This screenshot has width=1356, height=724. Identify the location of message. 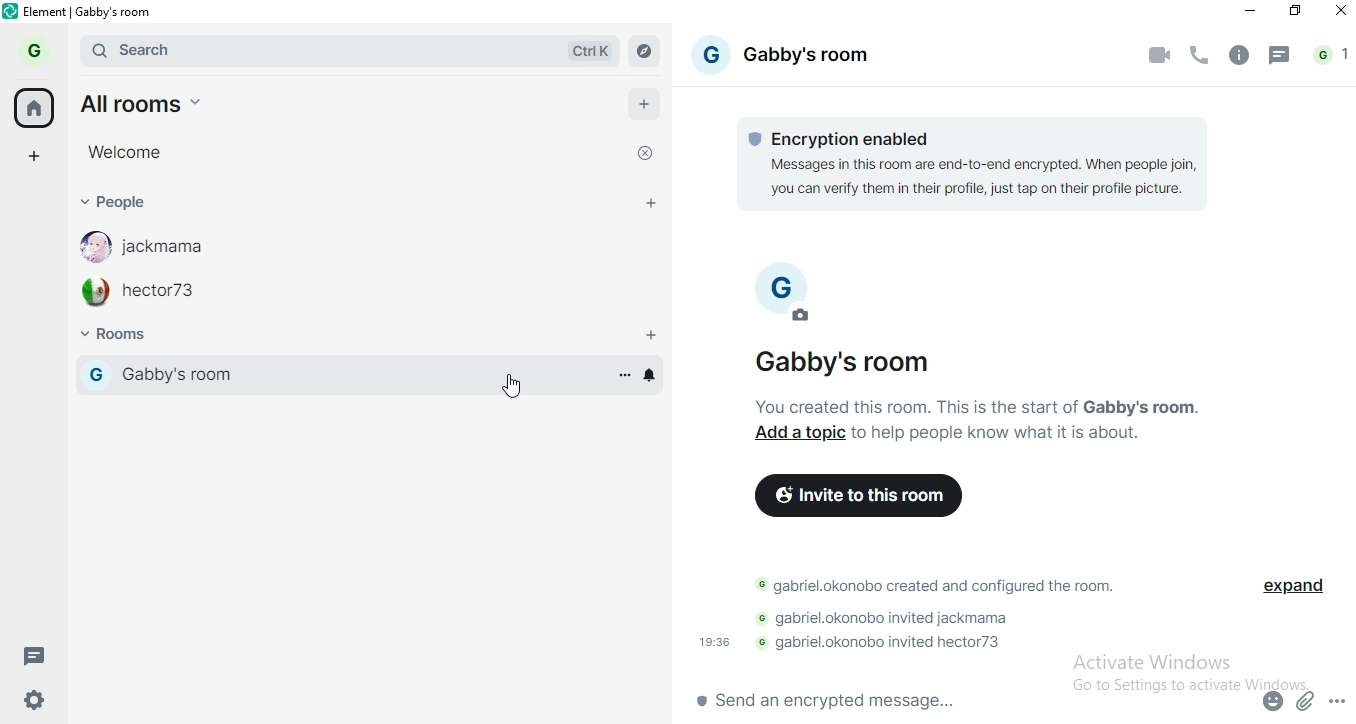
(1282, 57).